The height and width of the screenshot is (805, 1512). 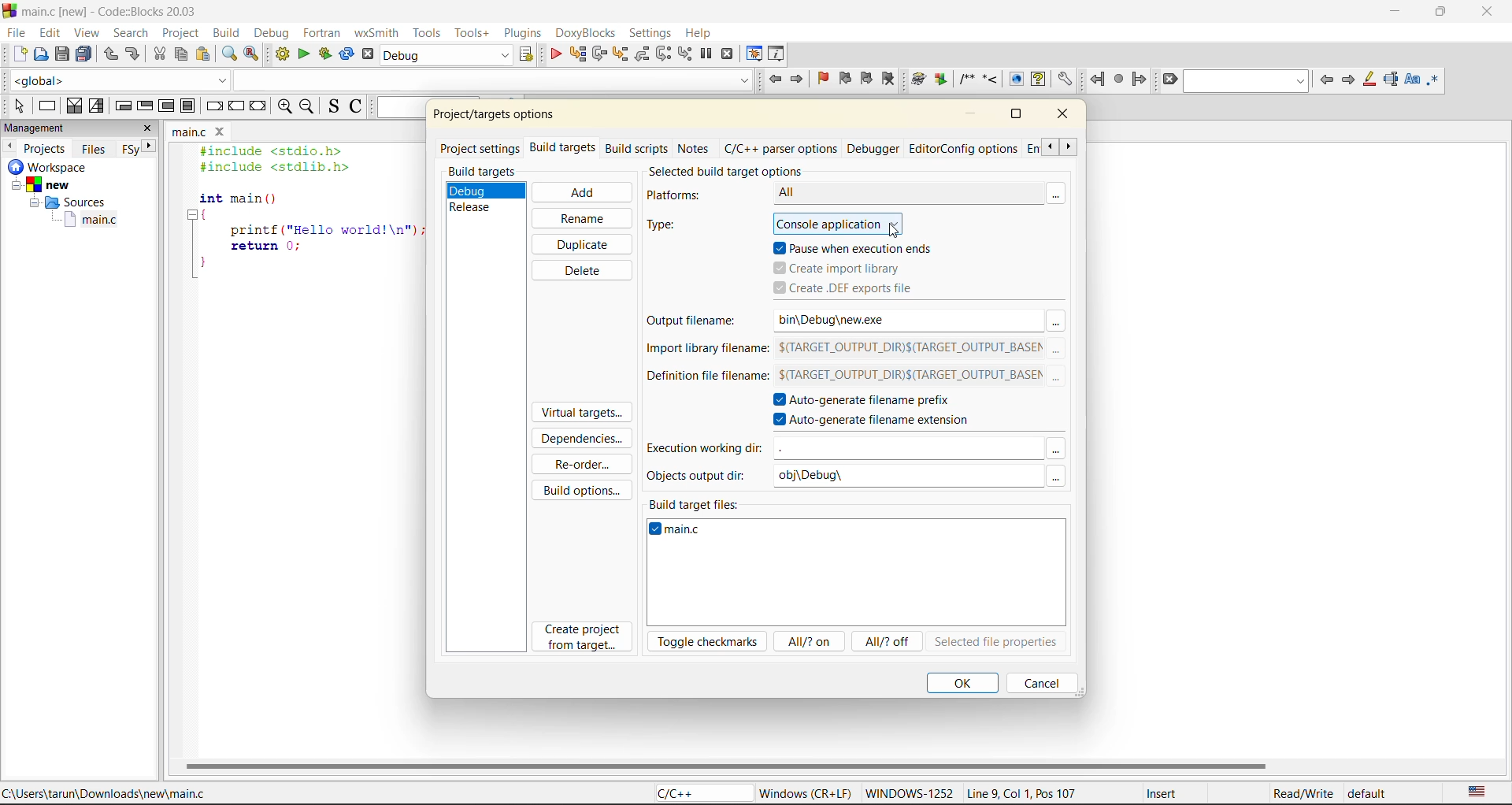 What do you see at coordinates (1056, 477) in the screenshot?
I see `more` at bounding box center [1056, 477].